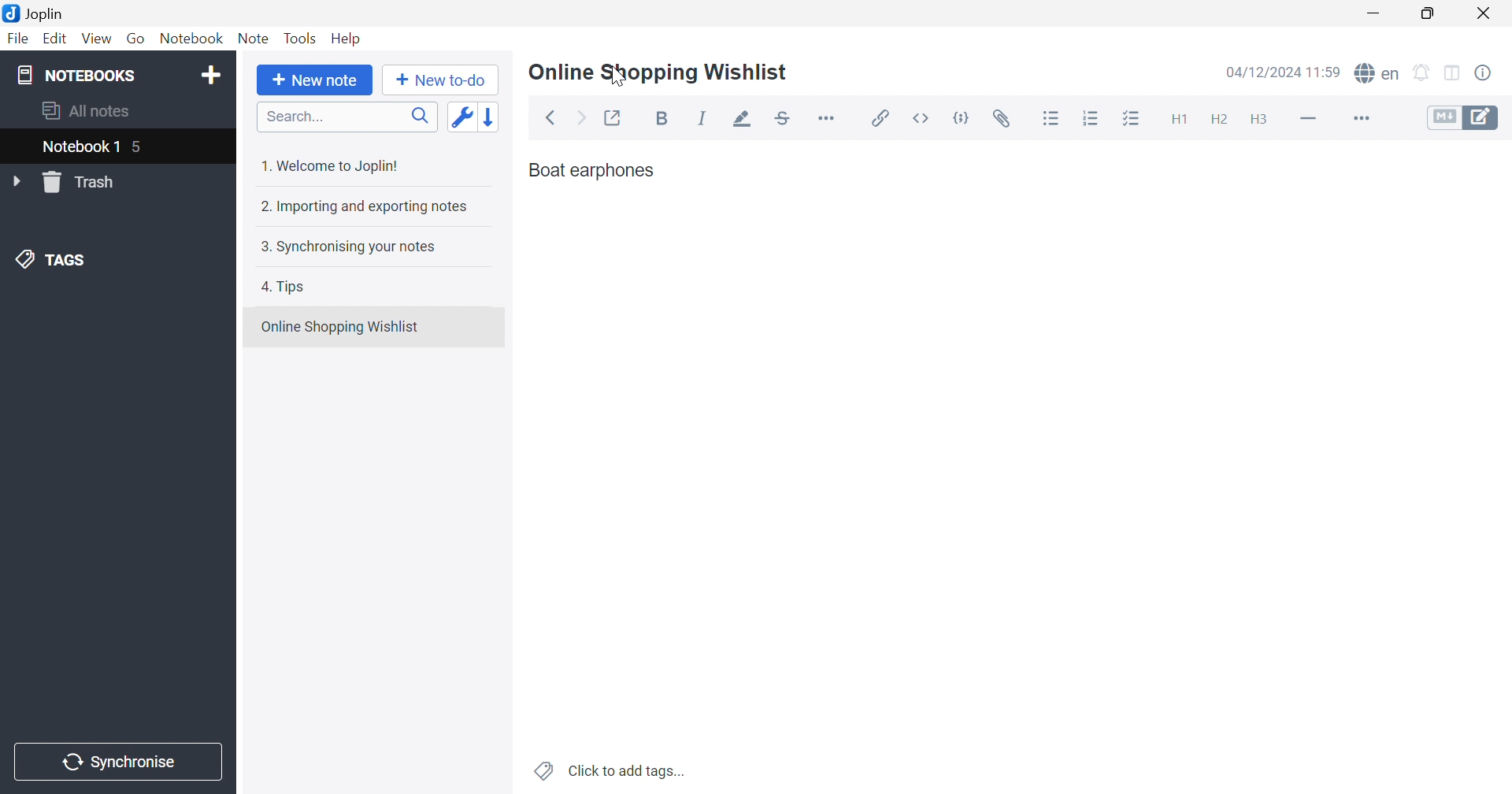 This screenshot has width=1512, height=794. Describe the element at coordinates (346, 38) in the screenshot. I see `Help` at that location.